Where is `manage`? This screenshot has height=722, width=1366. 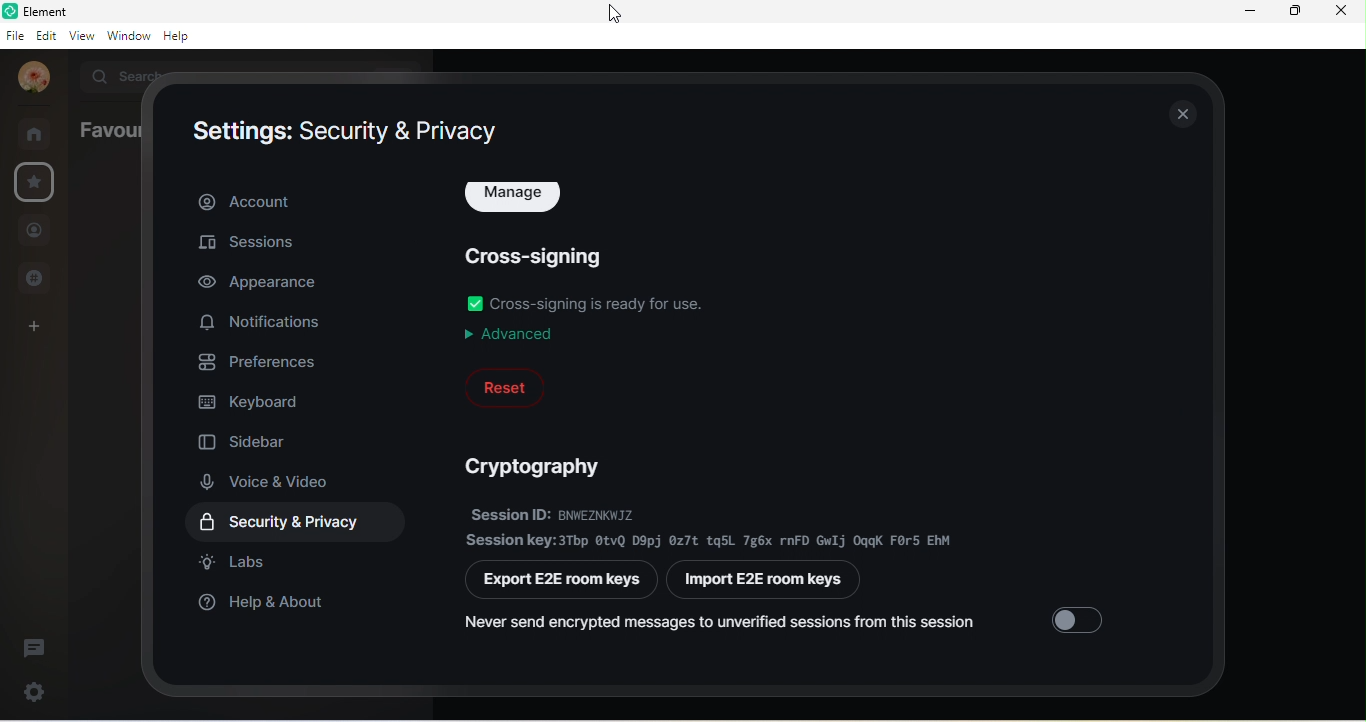
manage is located at coordinates (513, 196).